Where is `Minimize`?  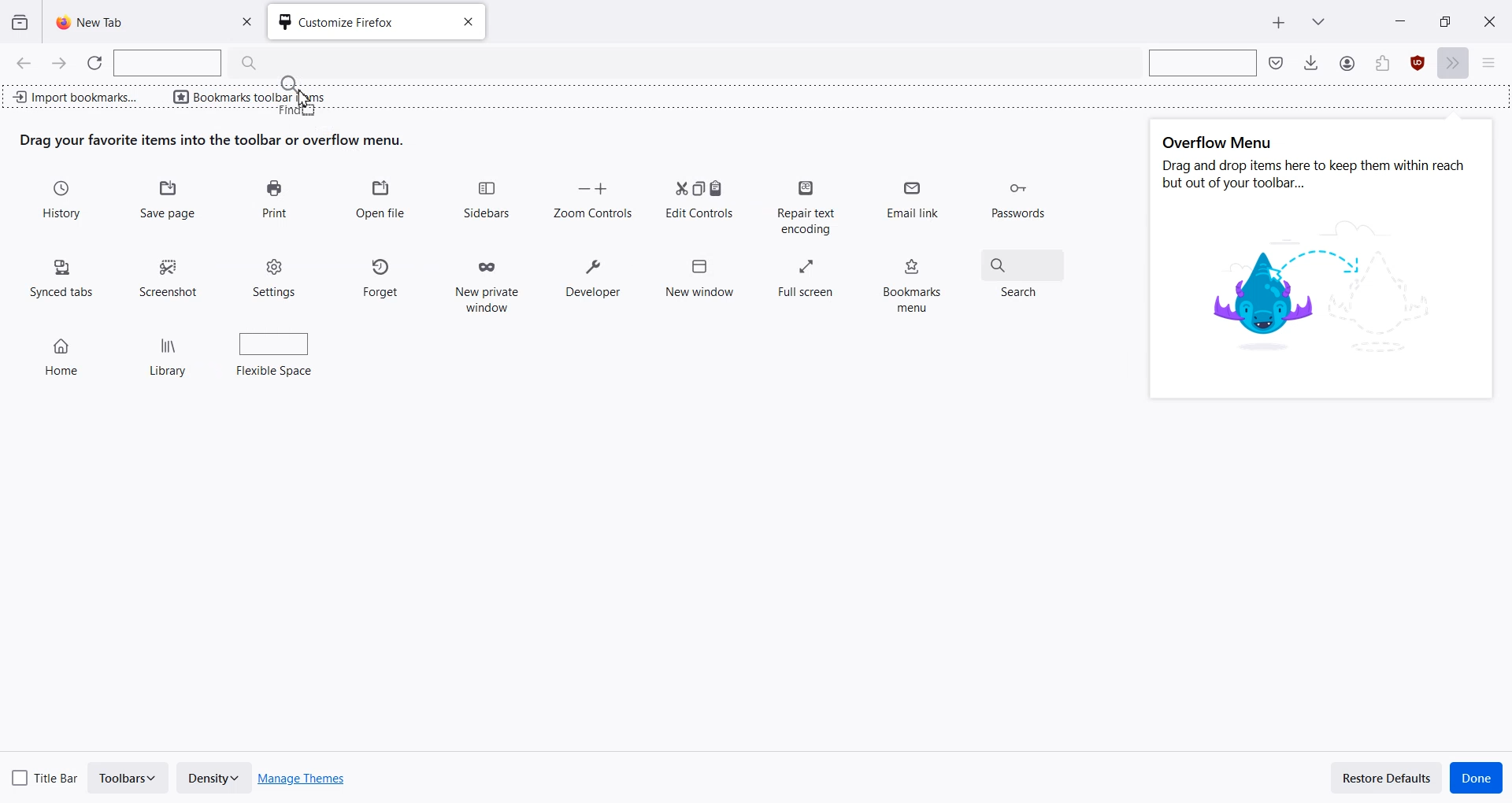
Minimize is located at coordinates (1401, 20).